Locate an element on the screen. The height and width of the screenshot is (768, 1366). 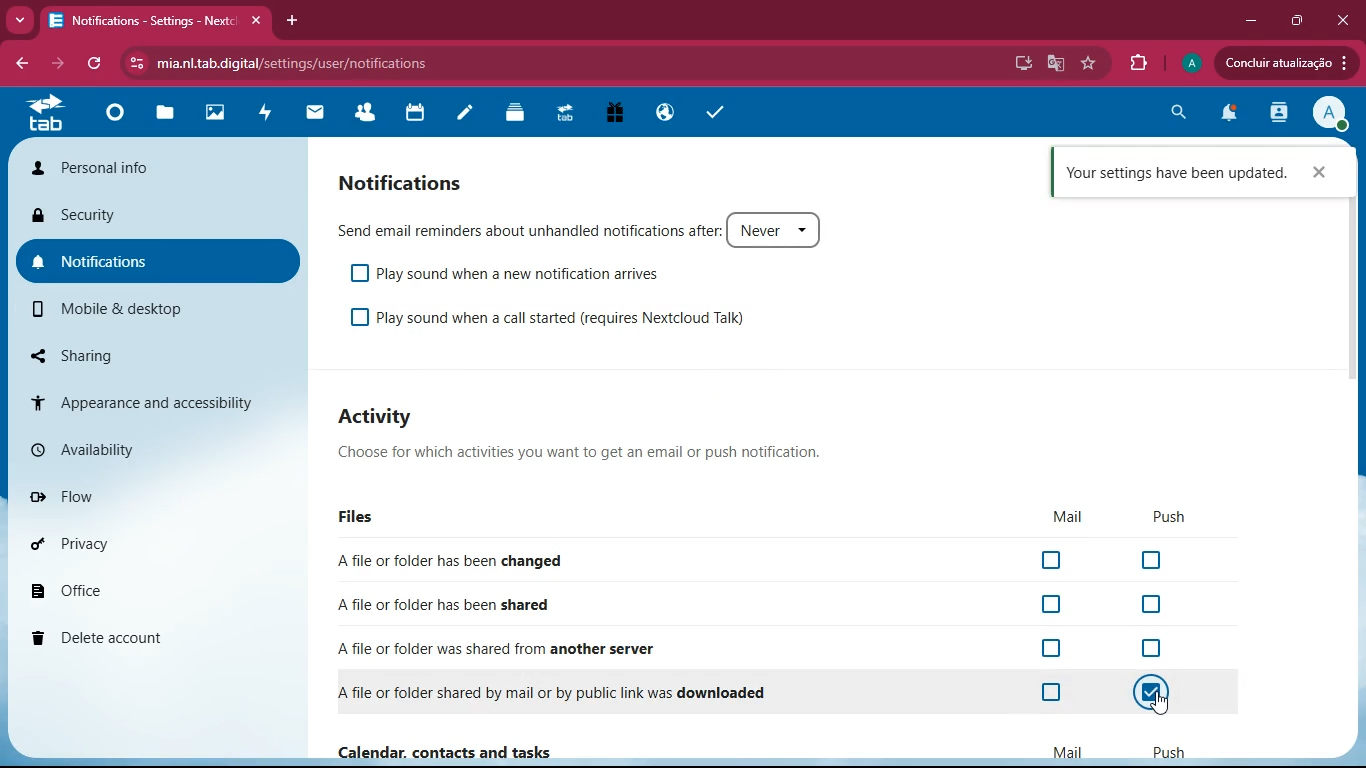
notifications is located at coordinates (149, 259).